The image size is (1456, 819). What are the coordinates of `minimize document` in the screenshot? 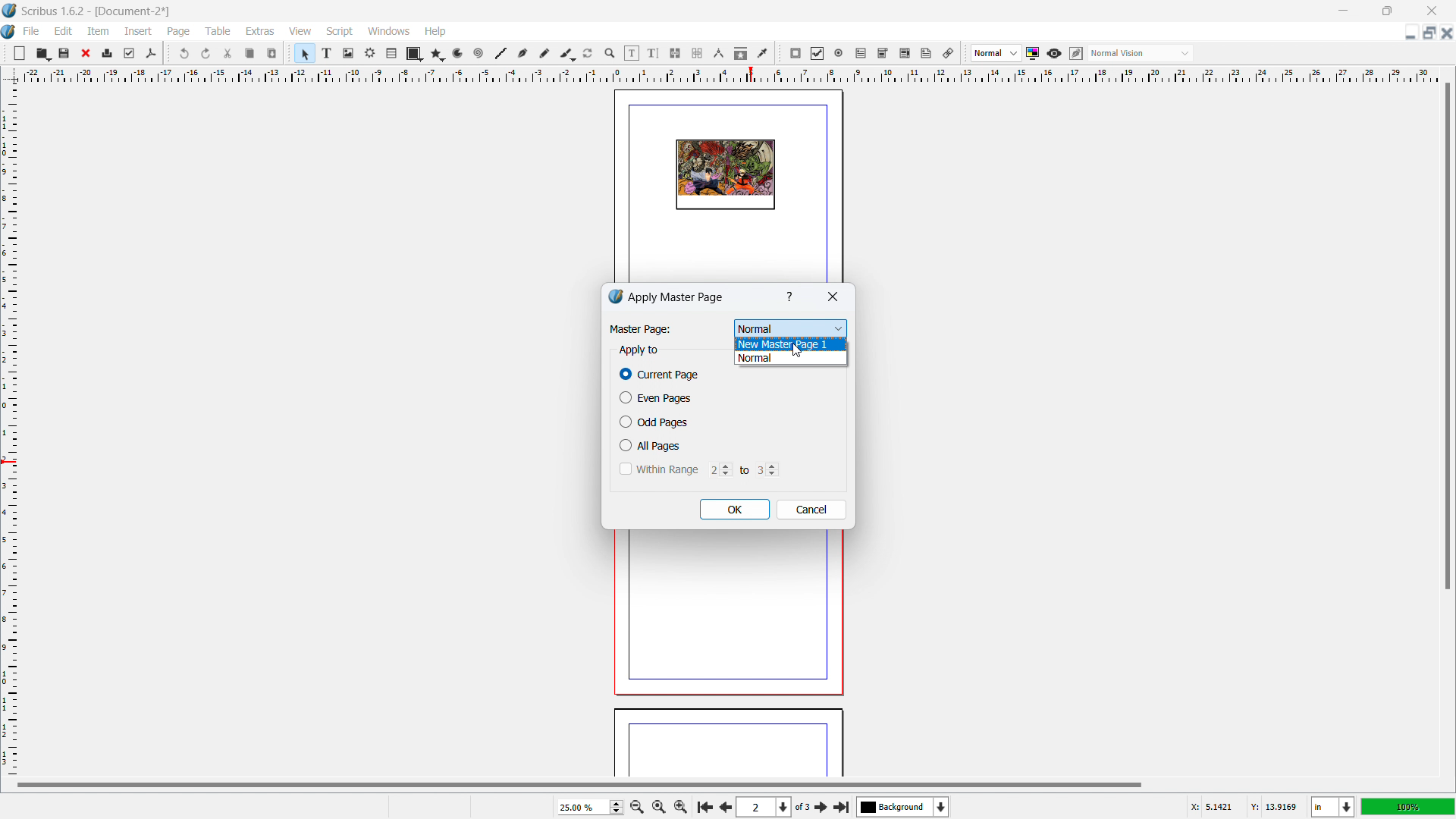 It's located at (1408, 34).